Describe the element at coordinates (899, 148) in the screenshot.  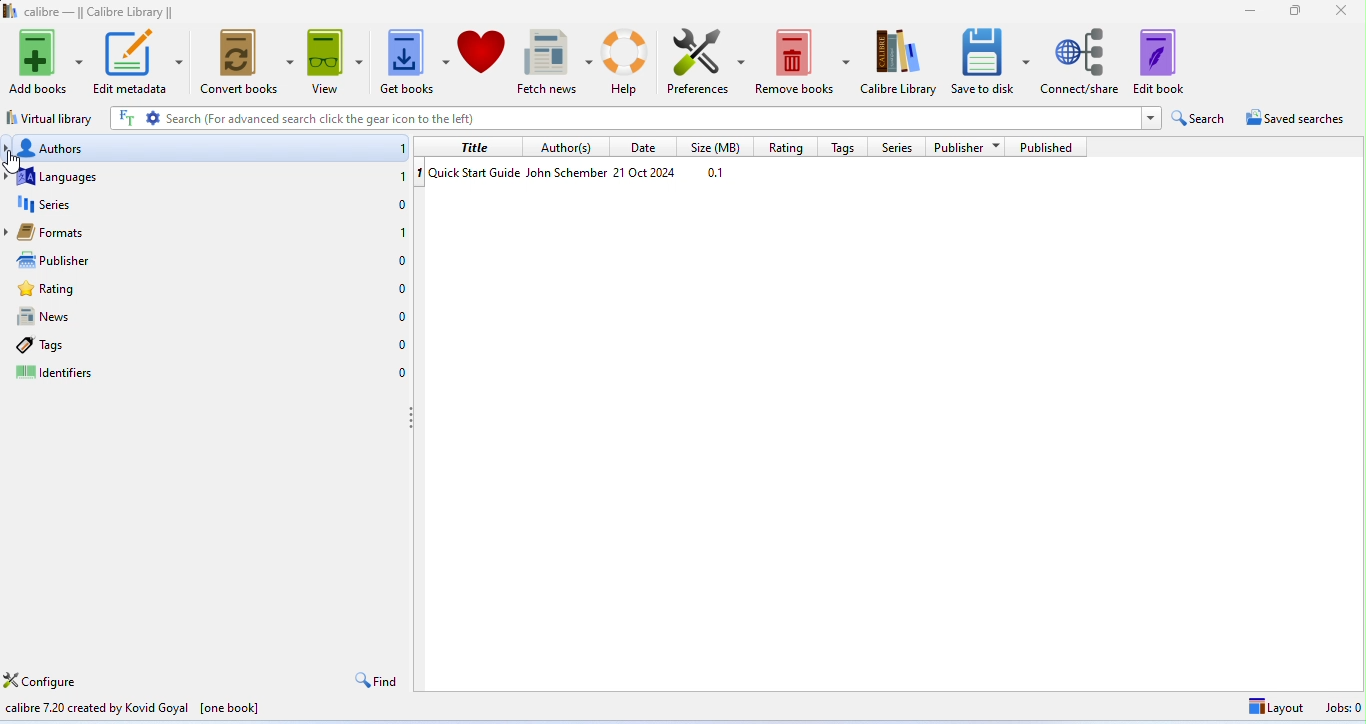
I see `series` at that location.